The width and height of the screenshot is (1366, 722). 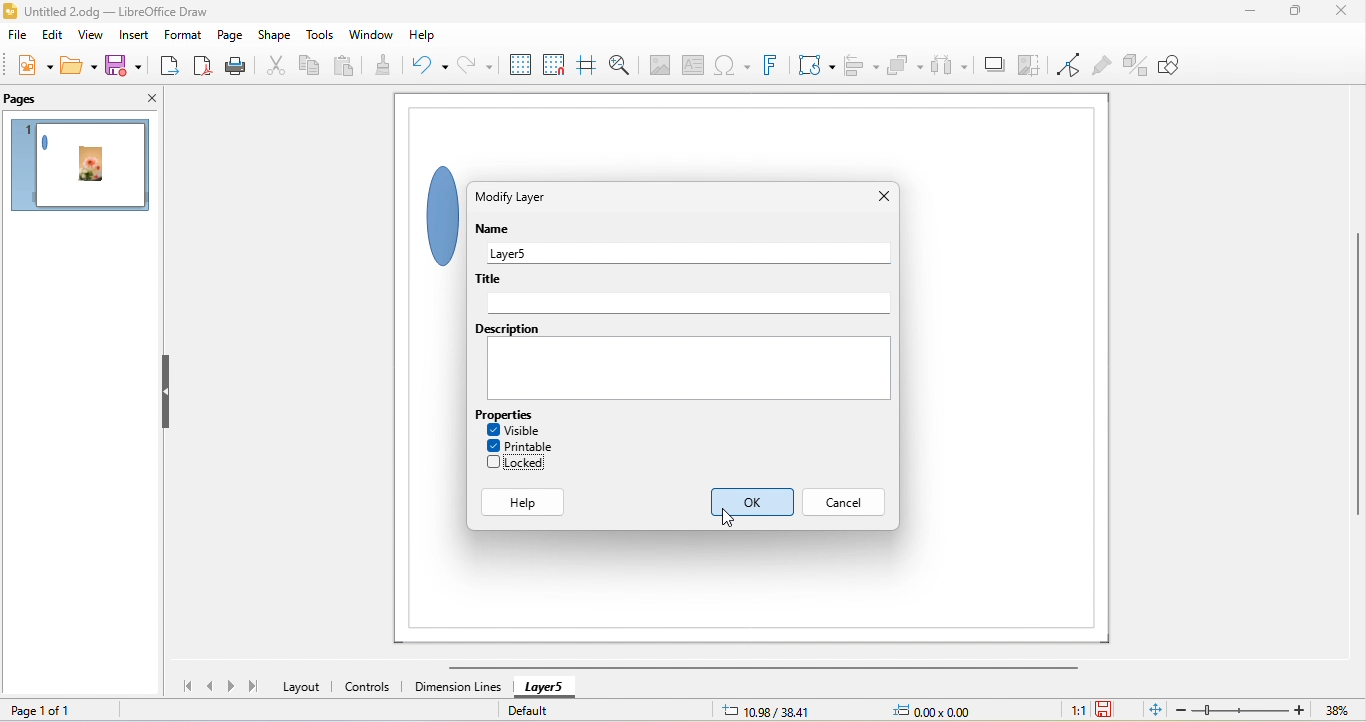 What do you see at coordinates (1076, 710) in the screenshot?
I see `1:1` at bounding box center [1076, 710].